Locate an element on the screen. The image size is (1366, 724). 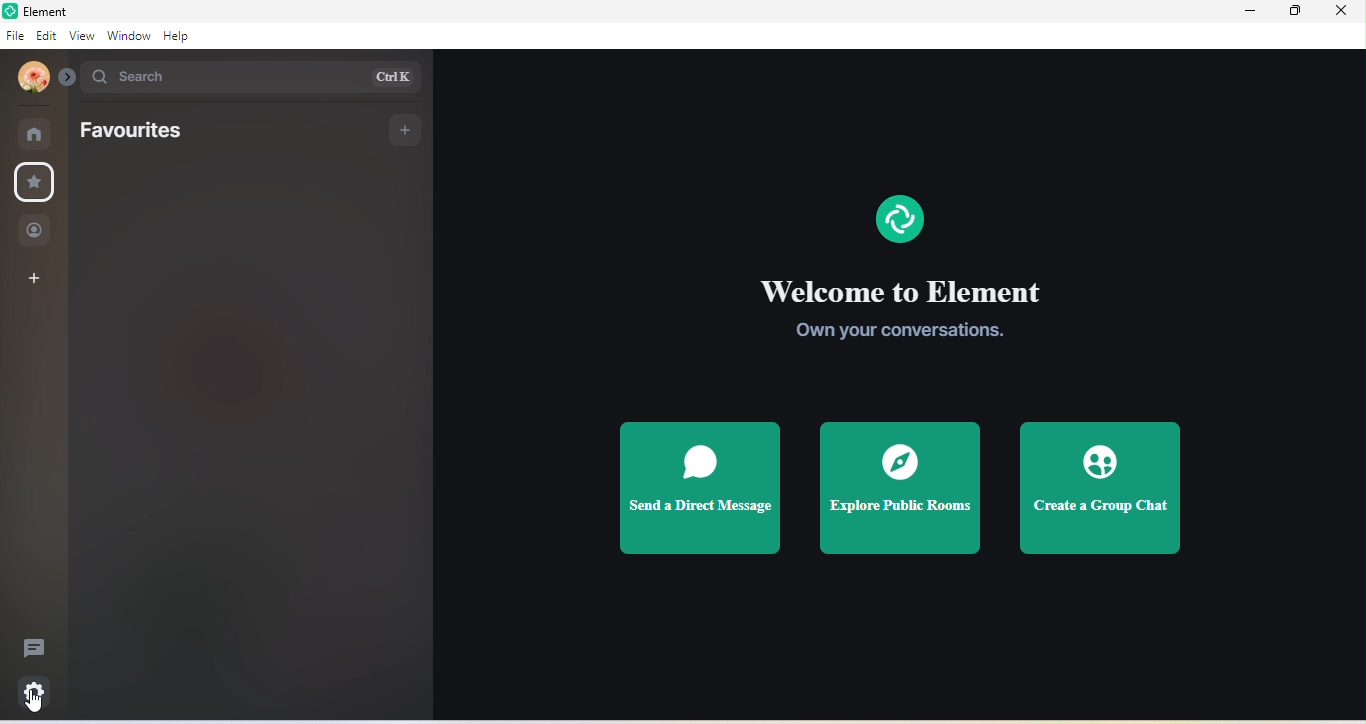
maximize is located at coordinates (1295, 15).